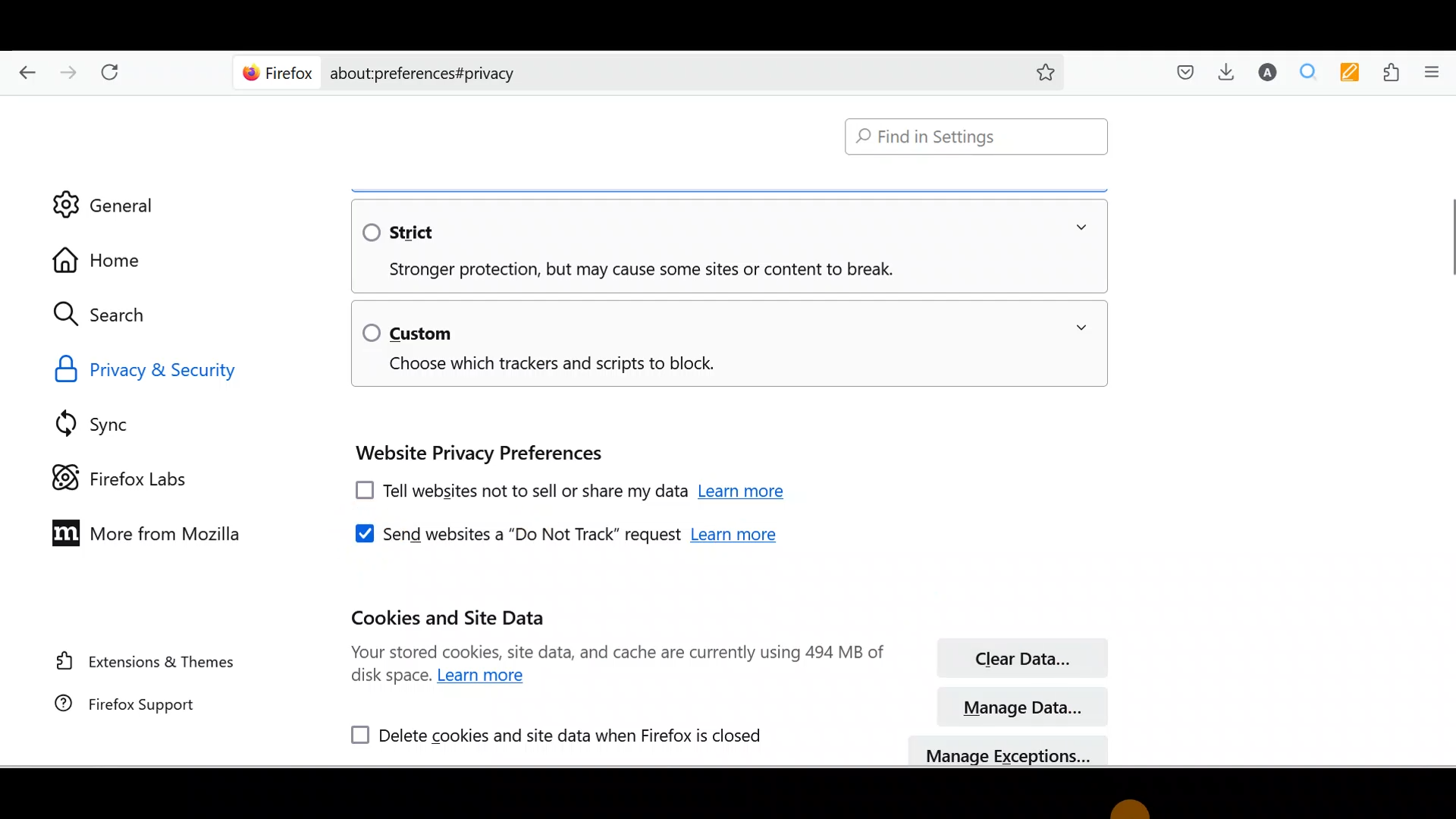 This screenshot has height=819, width=1456. Describe the element at coordinates (159, 370) in the screenshot. I see `Privacy & Security` at that location.